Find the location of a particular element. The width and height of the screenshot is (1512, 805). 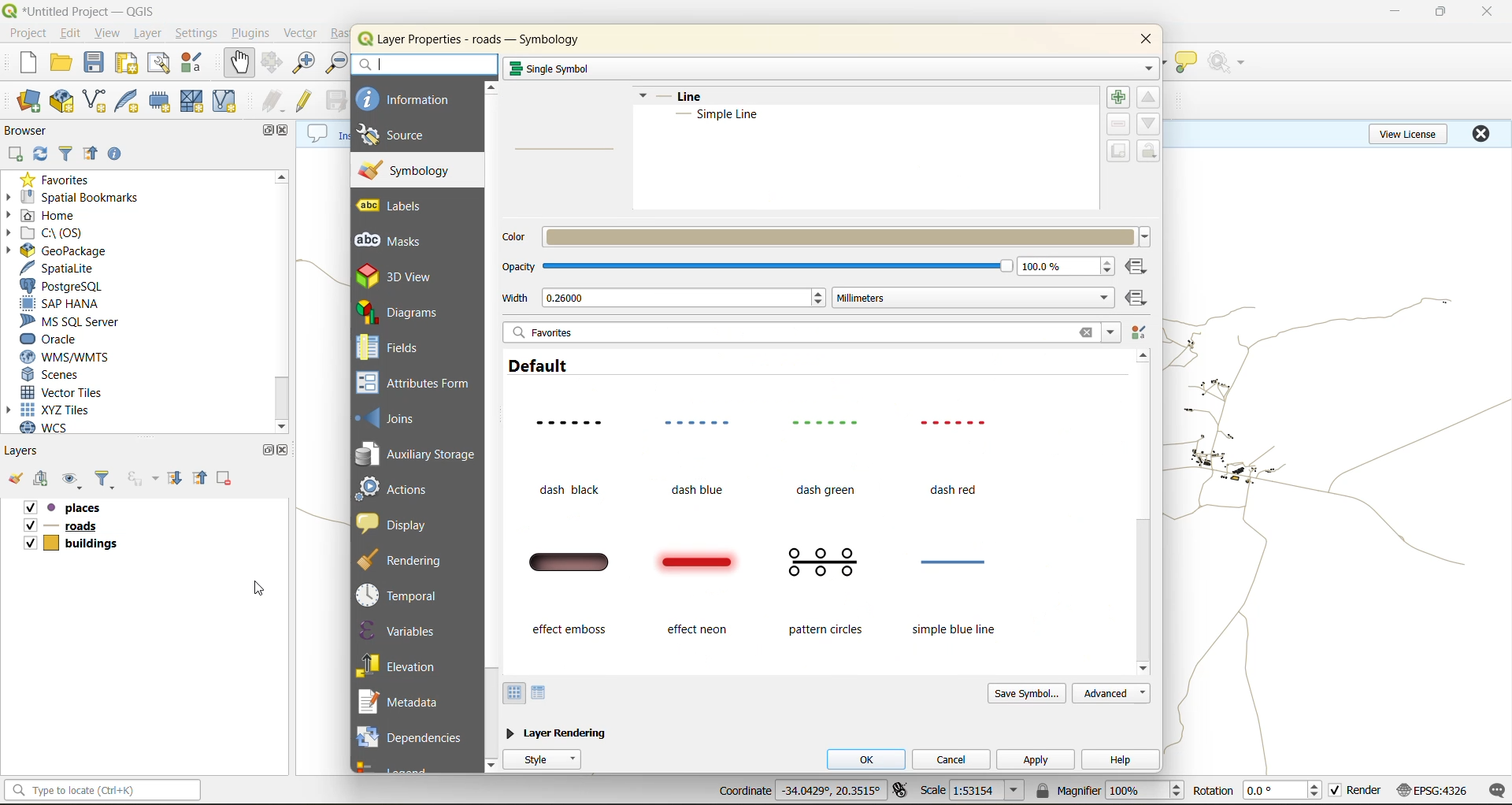

edits is located at coordinates (270, 98).